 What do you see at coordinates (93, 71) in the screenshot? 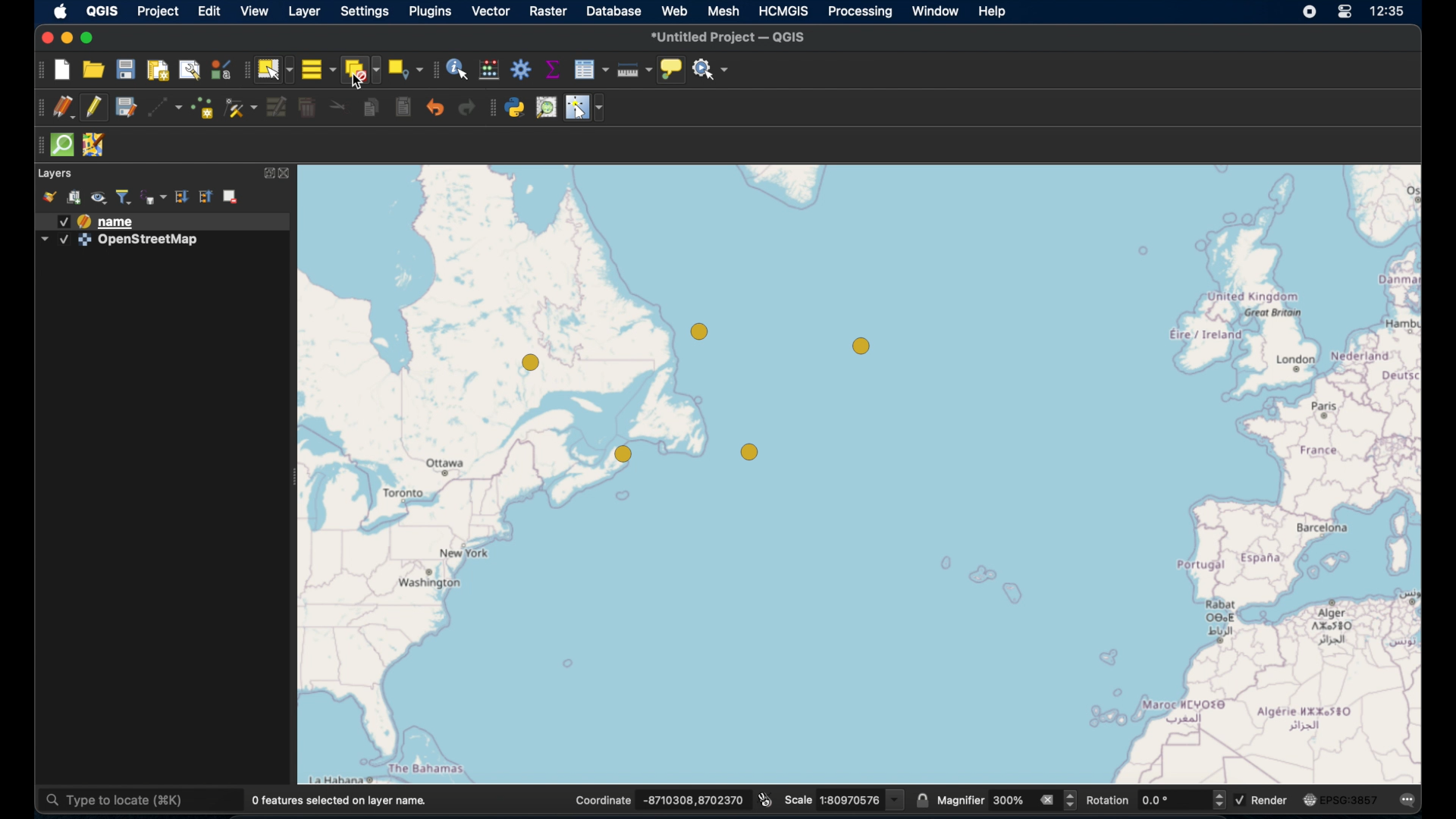
I see `open project` at bounding box center [93, 71].